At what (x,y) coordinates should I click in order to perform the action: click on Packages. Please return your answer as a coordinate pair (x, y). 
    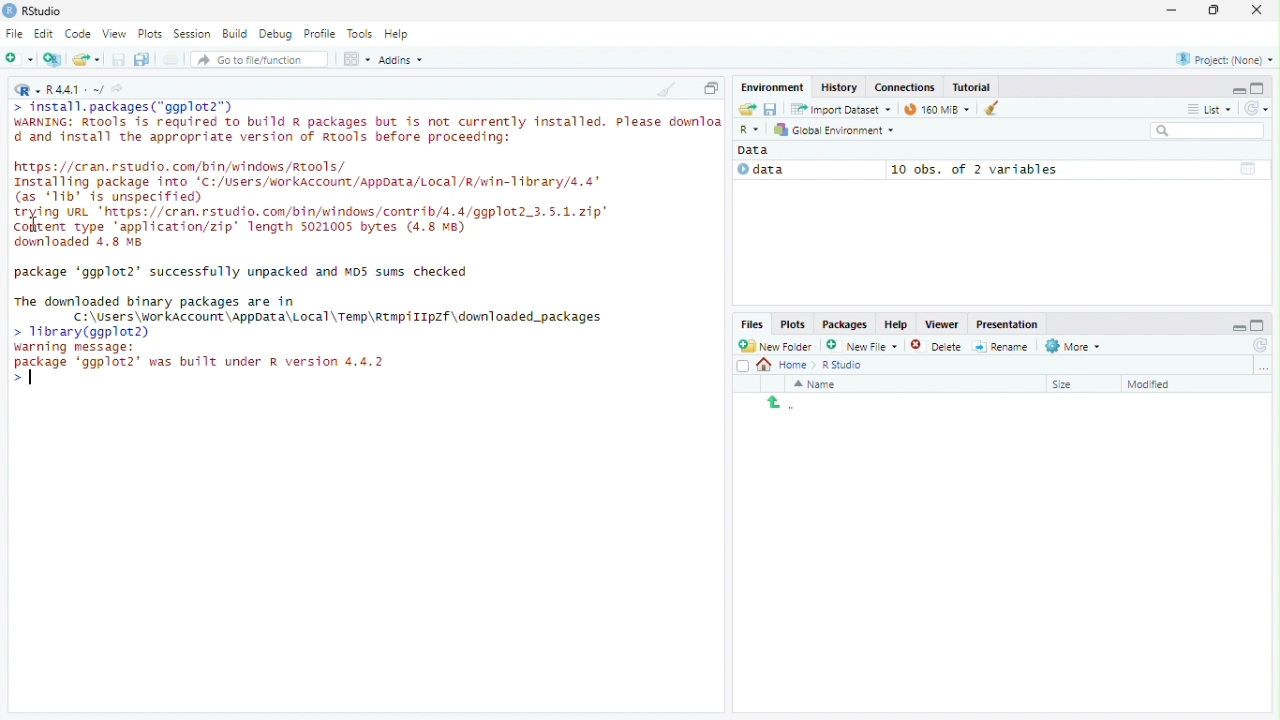
    Looking at the image, I should click on (845, 324).